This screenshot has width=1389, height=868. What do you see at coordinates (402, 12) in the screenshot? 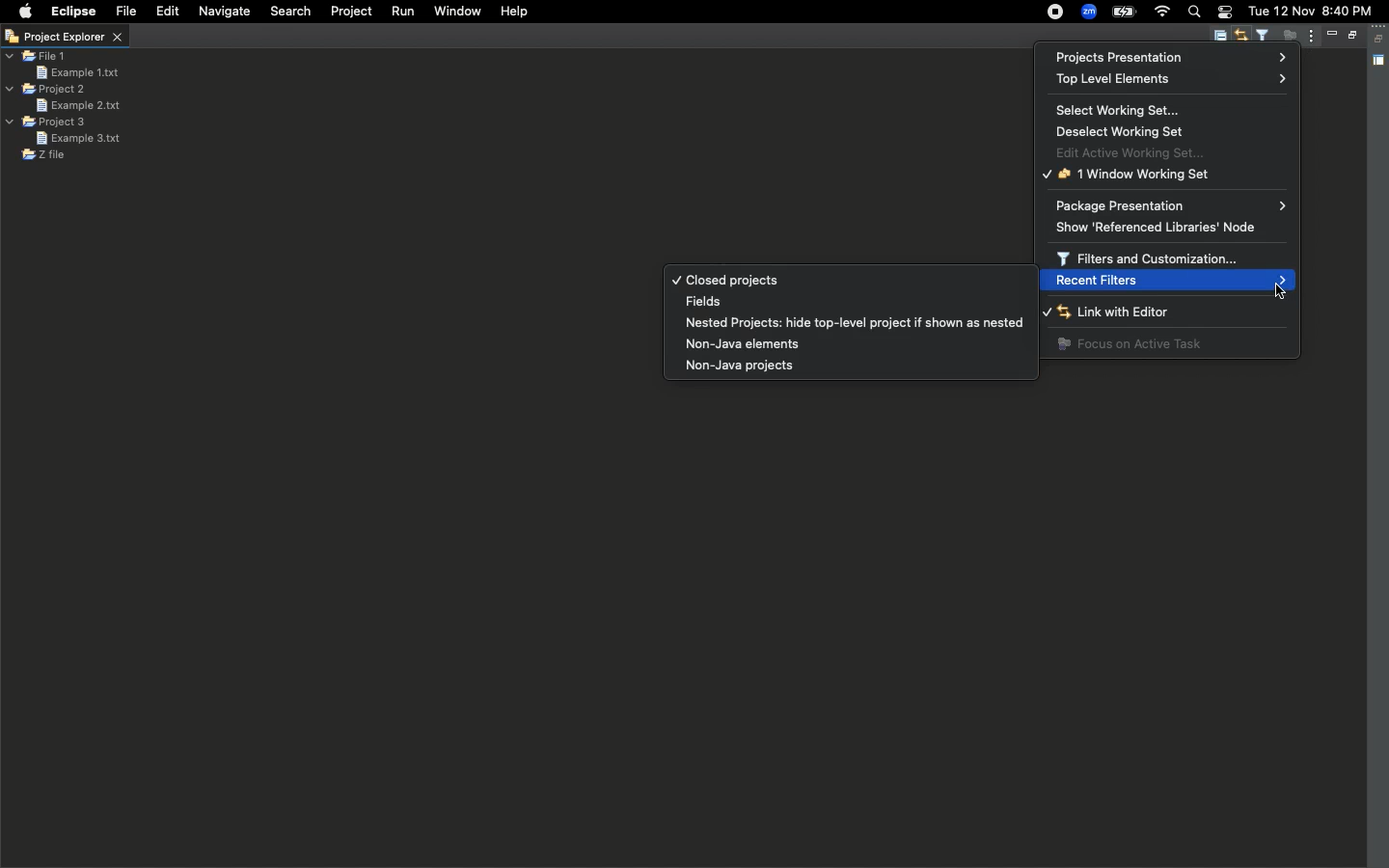
I see `Run` at bounding box center [402, 12].